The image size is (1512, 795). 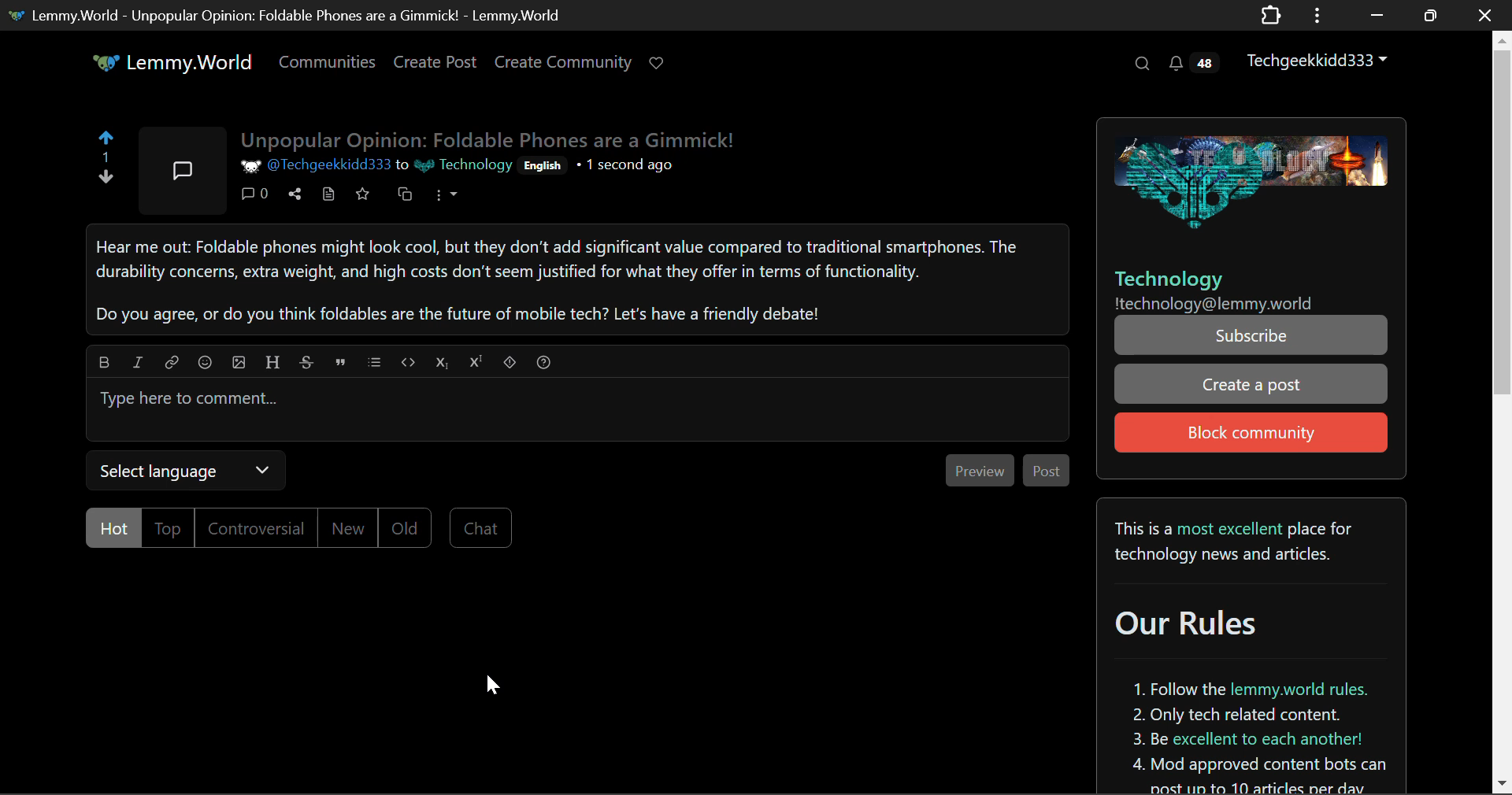 I want to click on Notifications, so click(x=1192, y=63).